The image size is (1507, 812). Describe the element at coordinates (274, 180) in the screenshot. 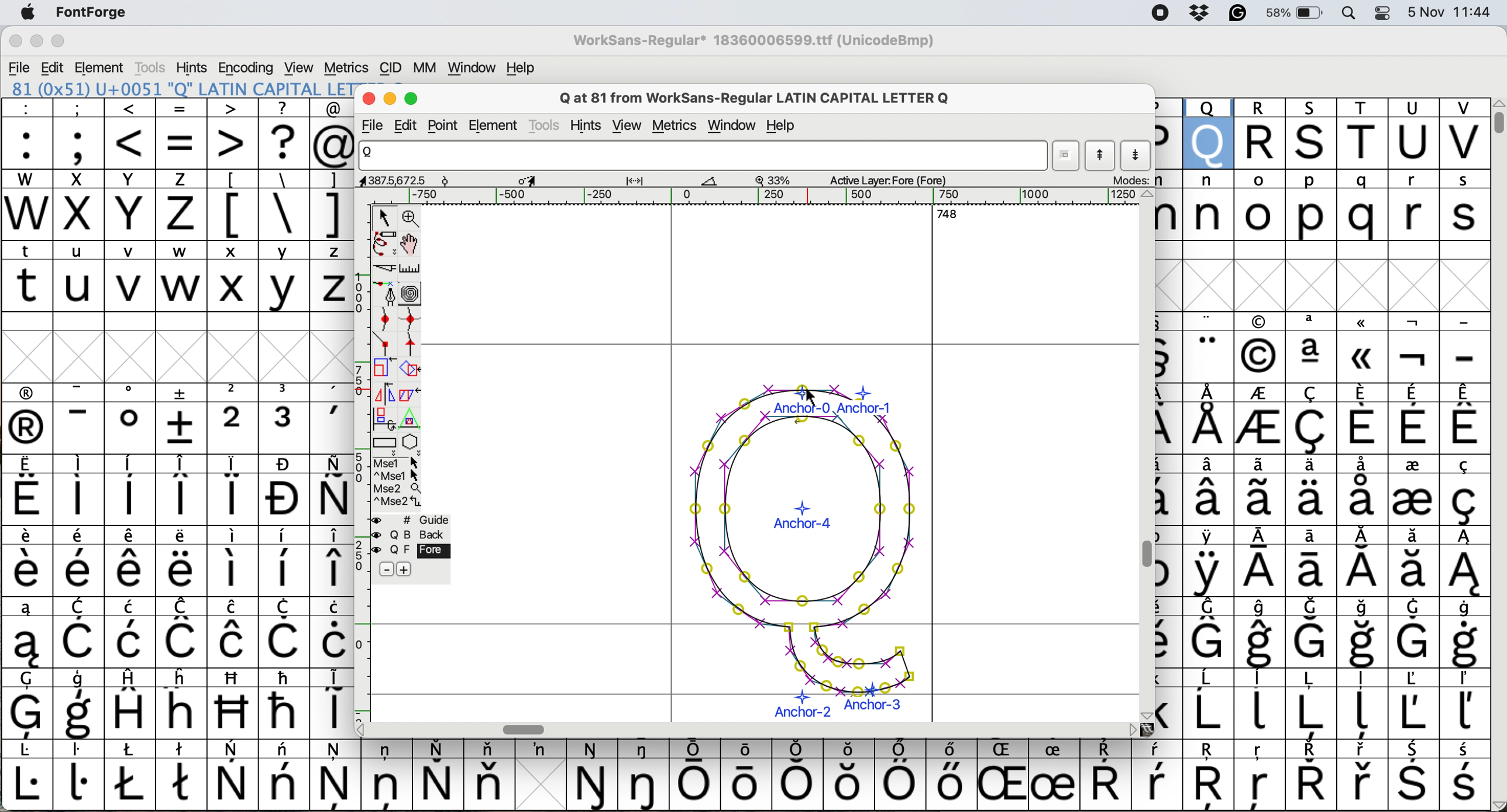

I see `special characters` at that location.